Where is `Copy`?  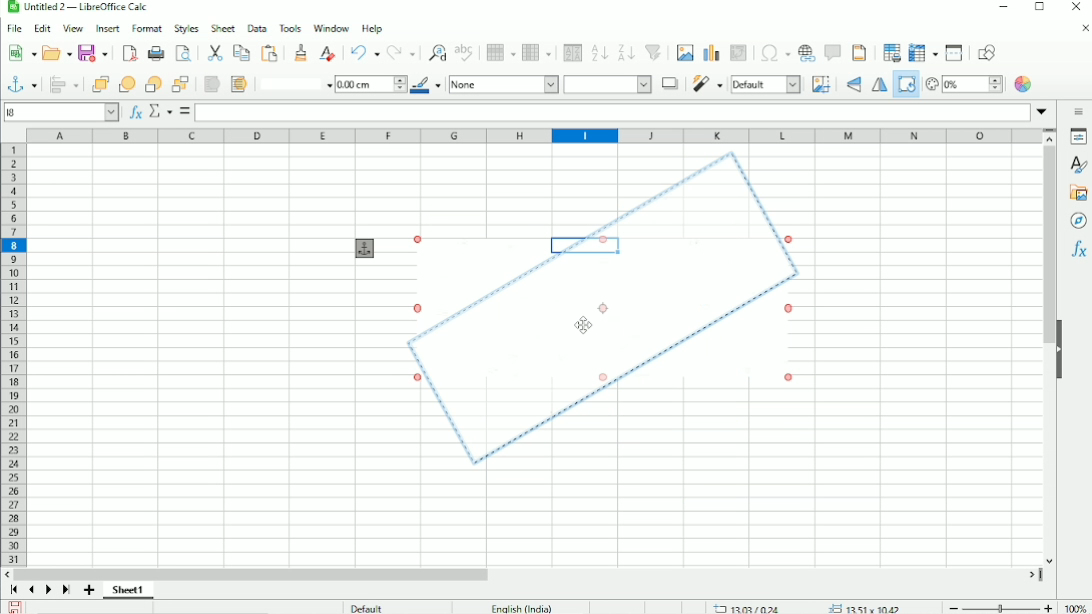 Copy is located at coordinates (241, 52).